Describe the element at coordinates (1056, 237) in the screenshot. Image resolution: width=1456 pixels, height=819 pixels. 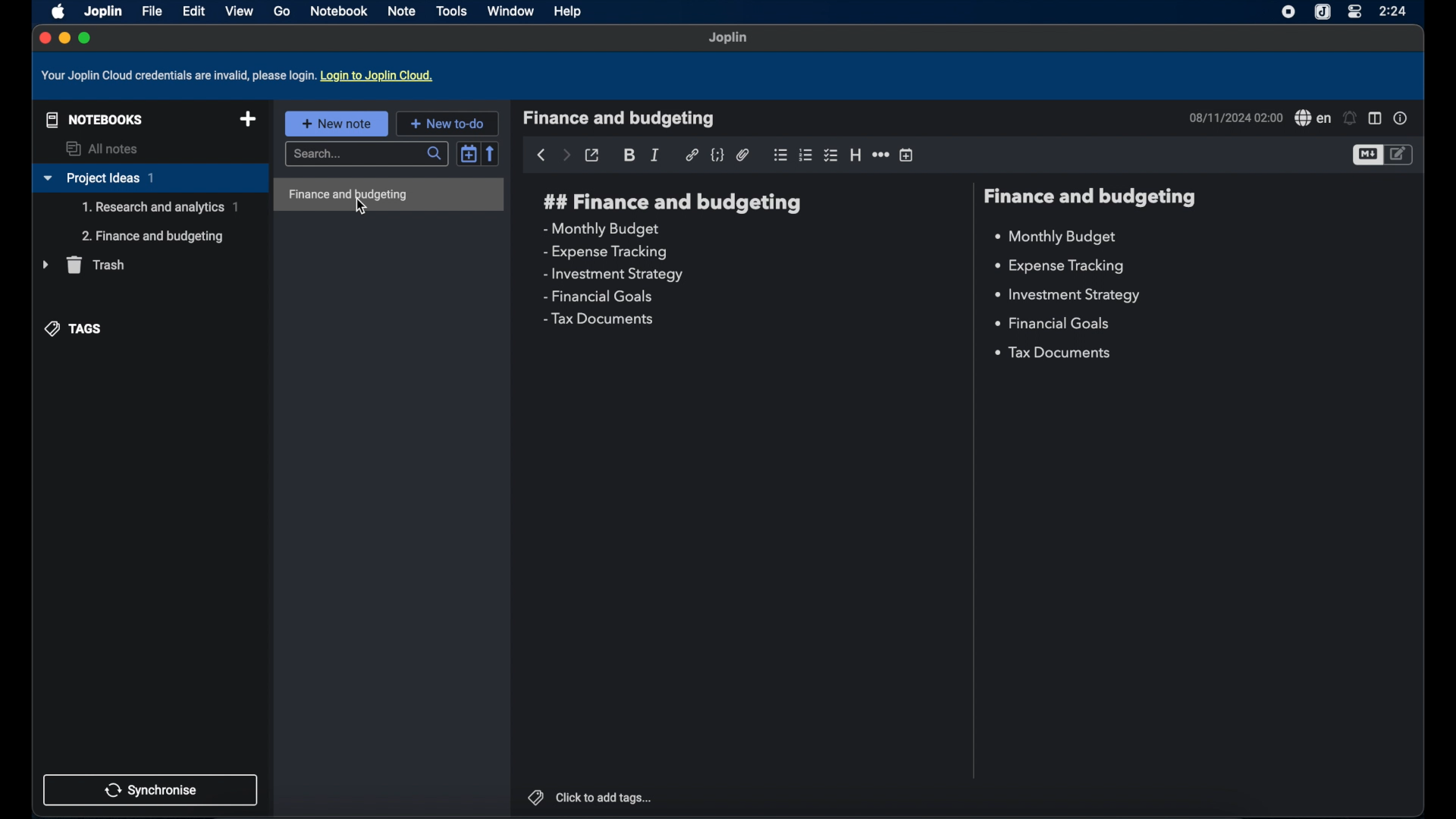
I see `monthly  budget` at that location.